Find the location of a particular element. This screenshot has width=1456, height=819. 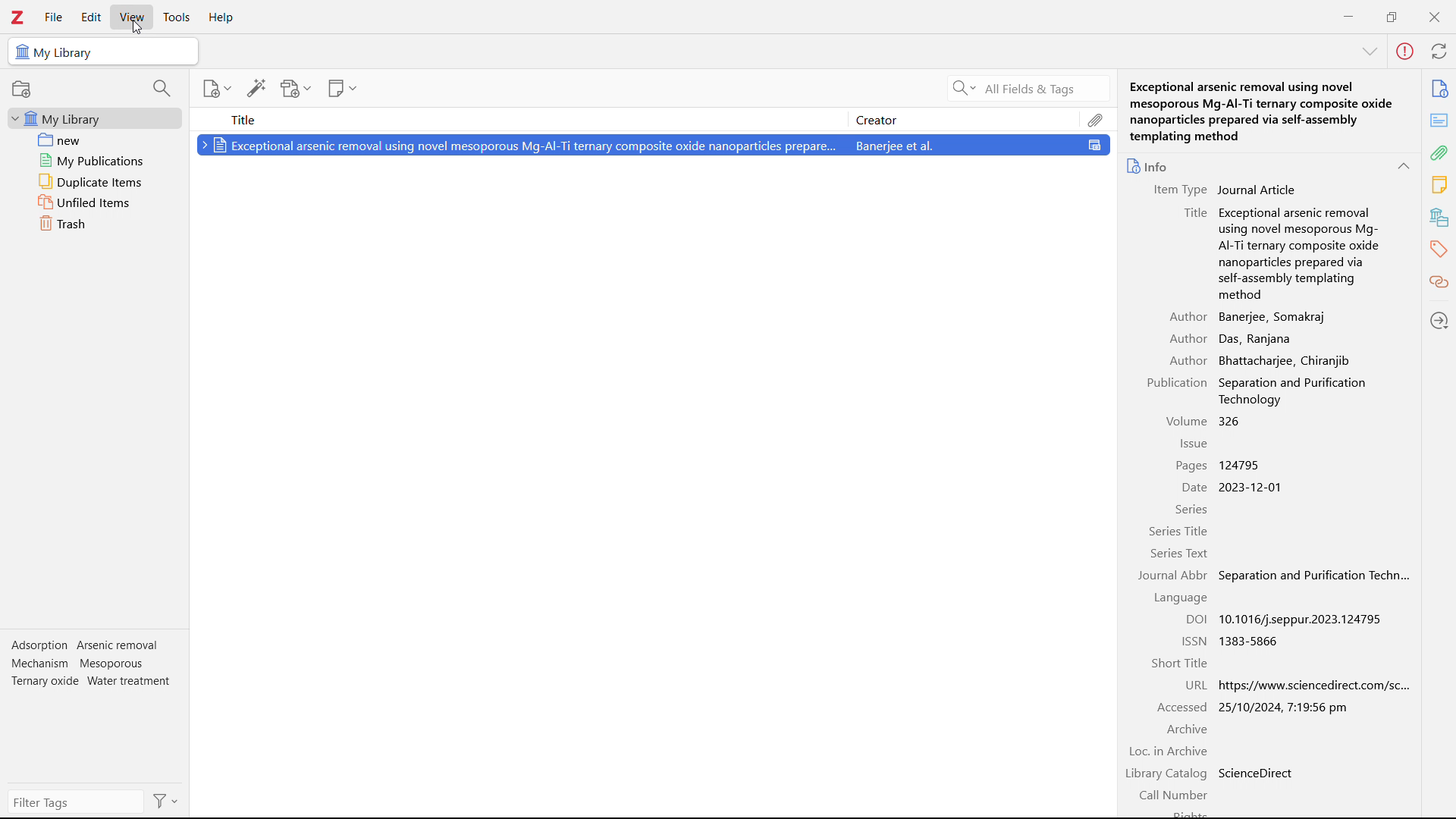

Separation and Purification
Technology is located at coordinates (1294, 391).